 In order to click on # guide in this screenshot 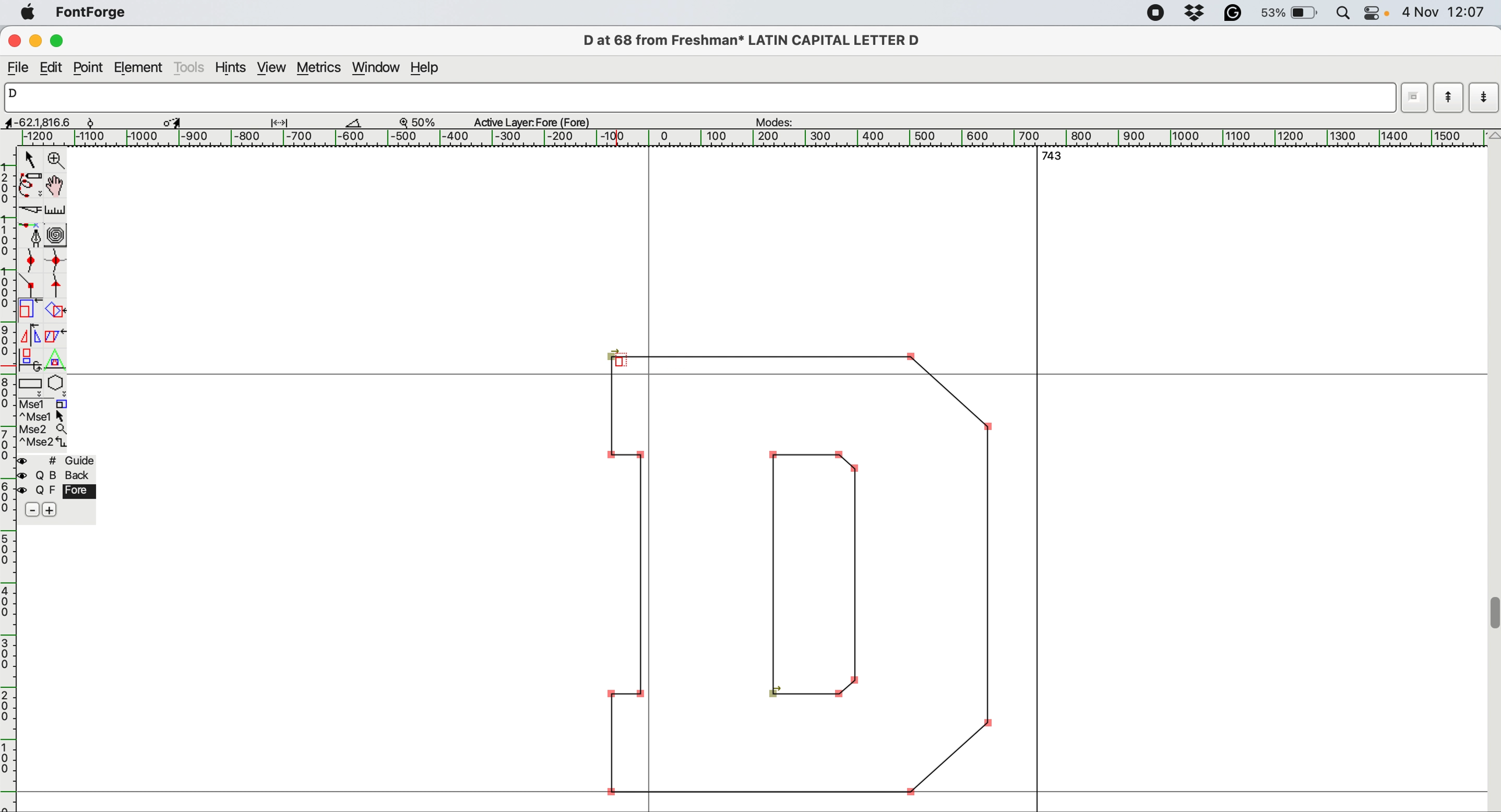, I will do `click(61, 461)`.